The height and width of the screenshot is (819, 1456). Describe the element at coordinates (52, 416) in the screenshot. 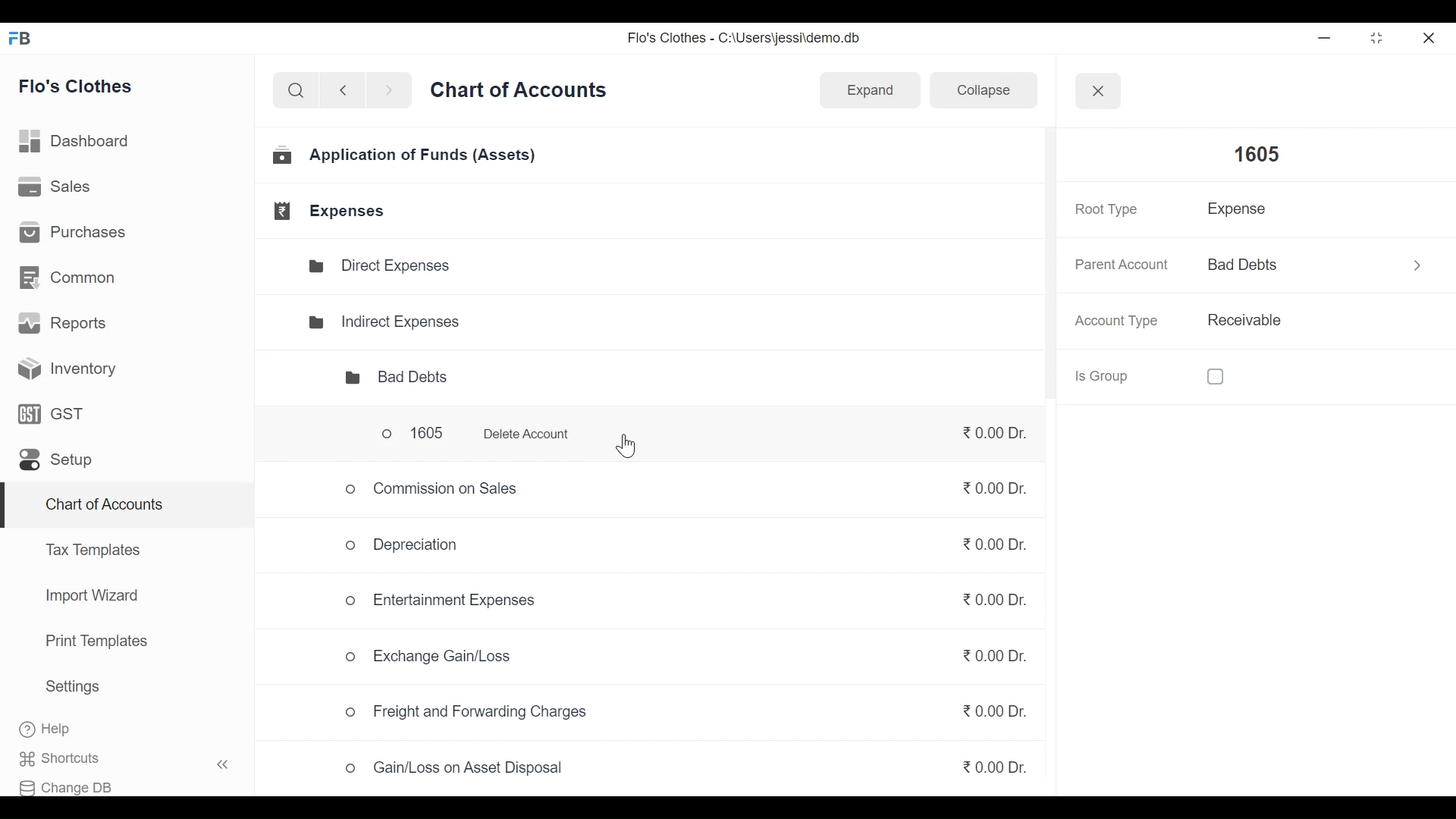

I see `GST` at that location.